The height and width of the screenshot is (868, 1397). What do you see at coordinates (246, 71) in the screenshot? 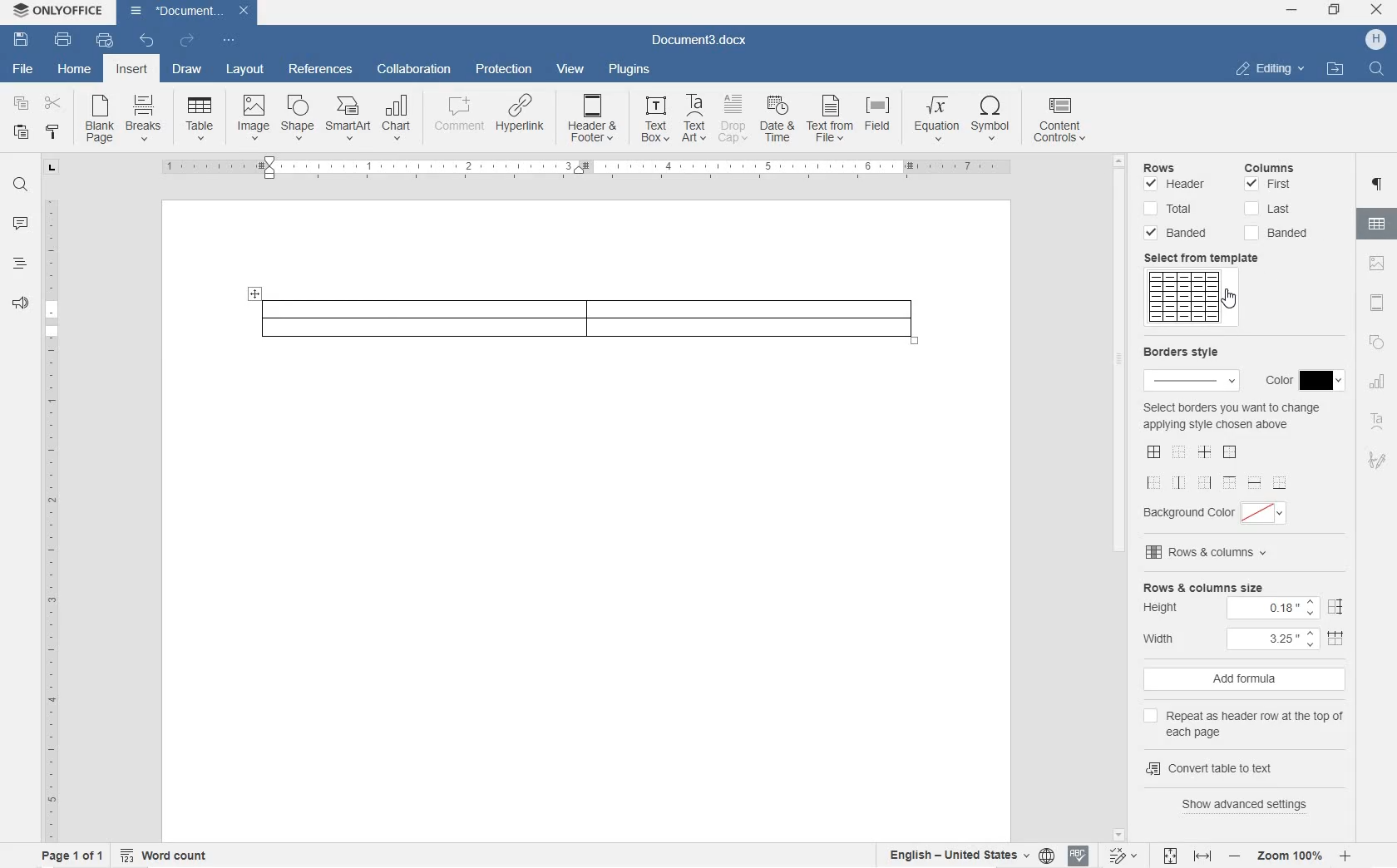
I see `LAYOUT` at bounding box center [246, 71].